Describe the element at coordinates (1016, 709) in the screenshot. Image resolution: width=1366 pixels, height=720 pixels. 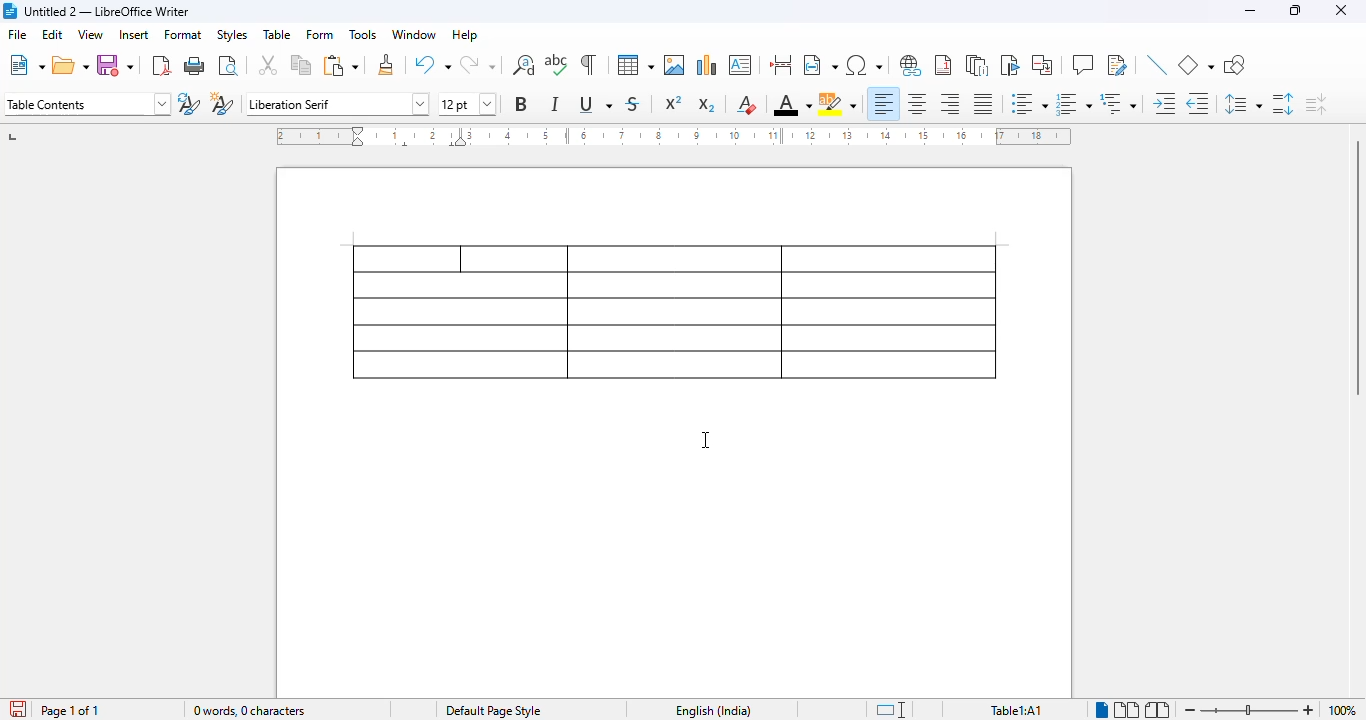
I see `table1:A1` at that location.